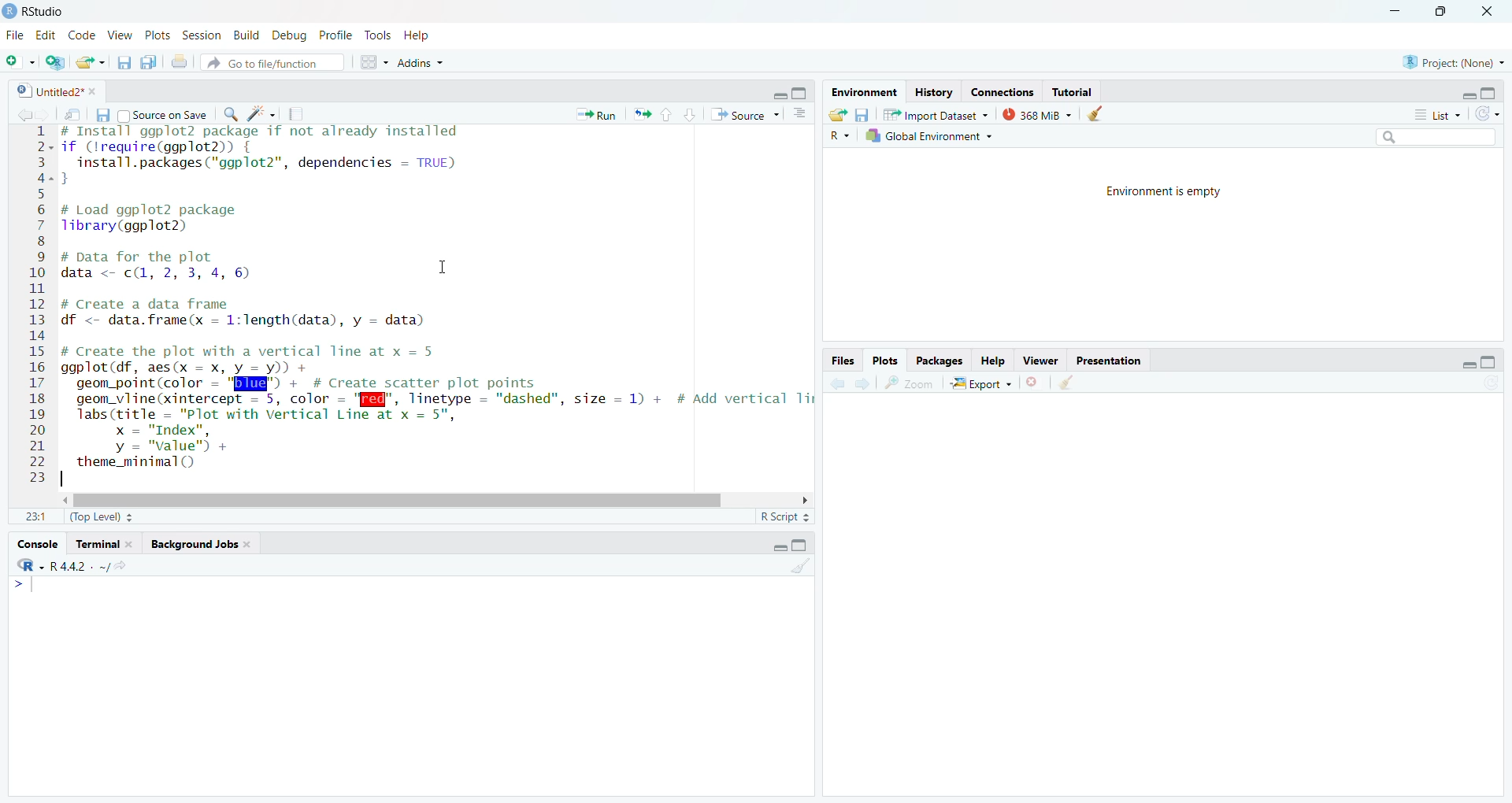  What do you see at coordinates (1492, 362) in the screenshot?
I see `maximise` at bounding box center [1492, 362].